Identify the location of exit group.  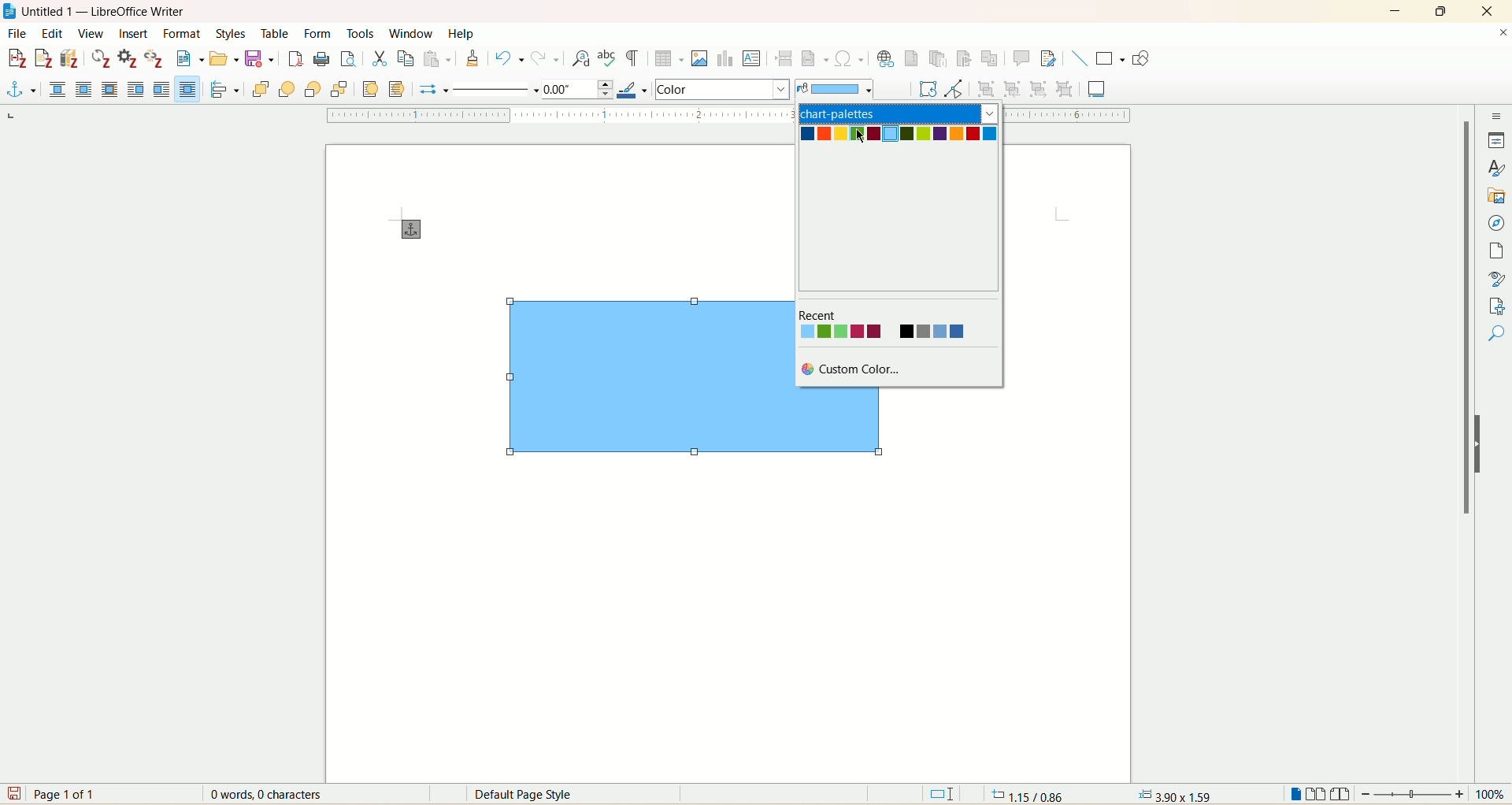
(1038, 88).